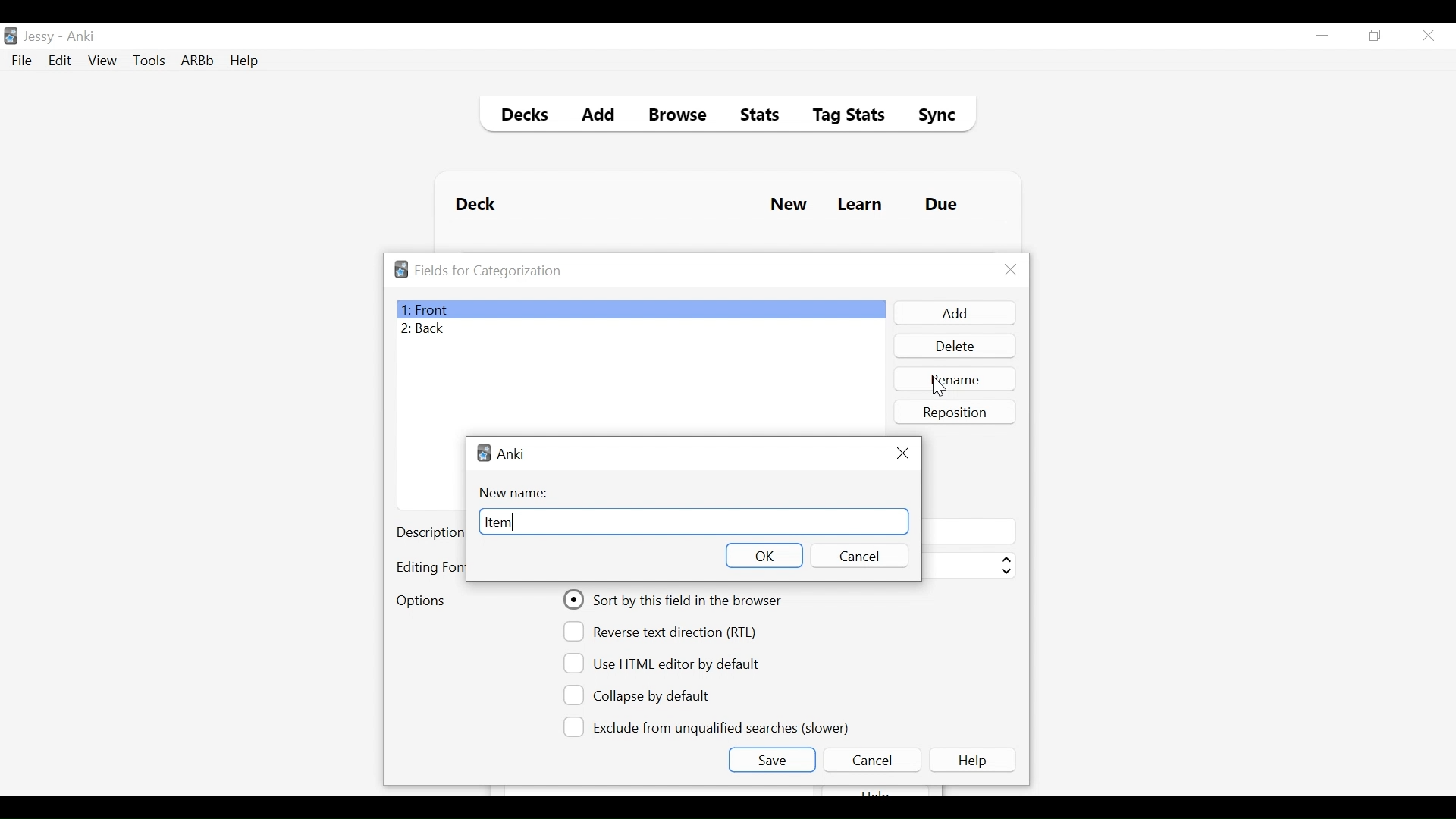  What do you see at coordinates (956, 378) in the screenshot?
I see `Rename` at bounding box center [956, 378].